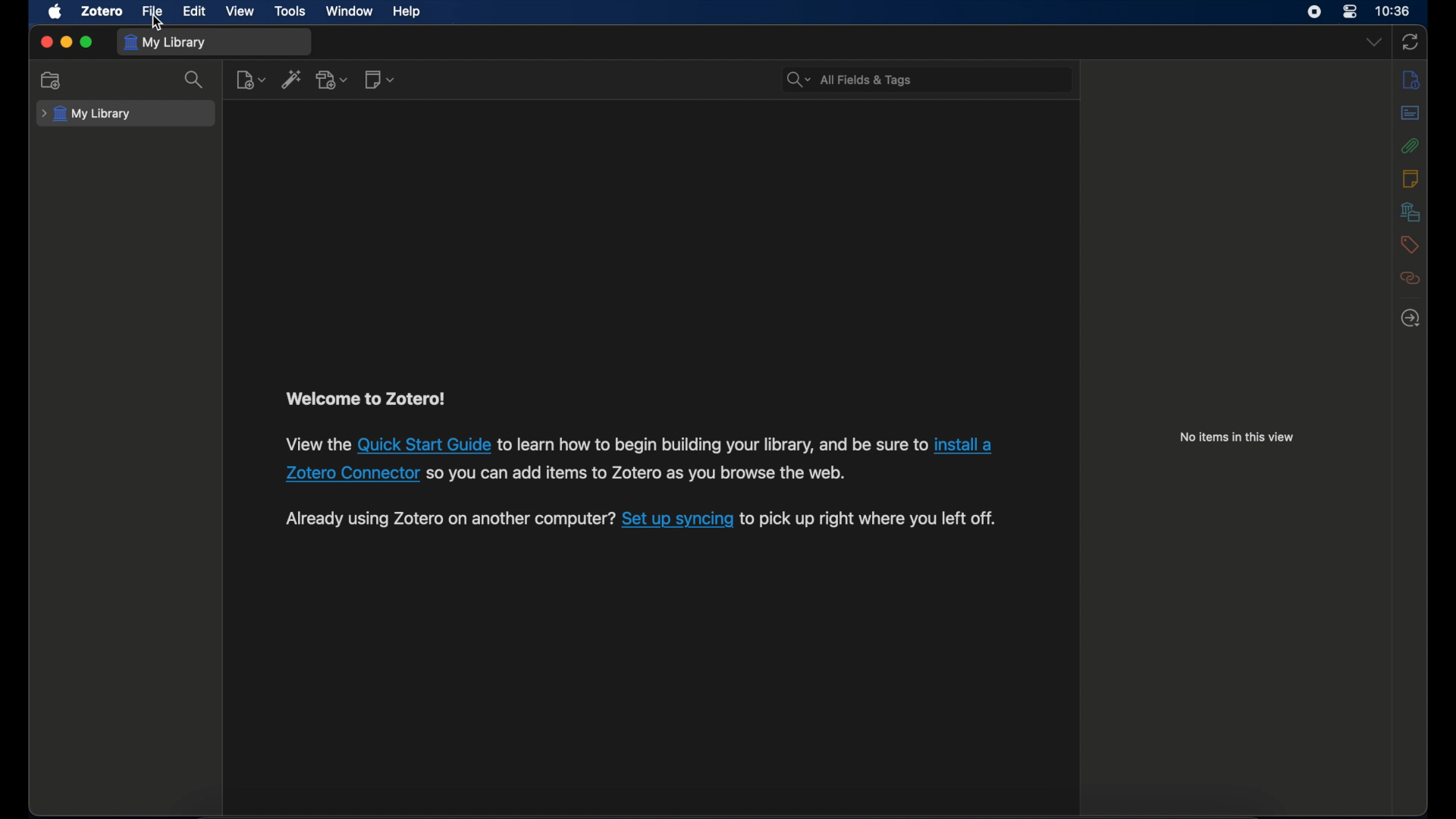 The image size is (1456, 819). What do you see at coordinates (333, 79) in the screenshot?
I see `add attachment` at bounding box center [333, 79].